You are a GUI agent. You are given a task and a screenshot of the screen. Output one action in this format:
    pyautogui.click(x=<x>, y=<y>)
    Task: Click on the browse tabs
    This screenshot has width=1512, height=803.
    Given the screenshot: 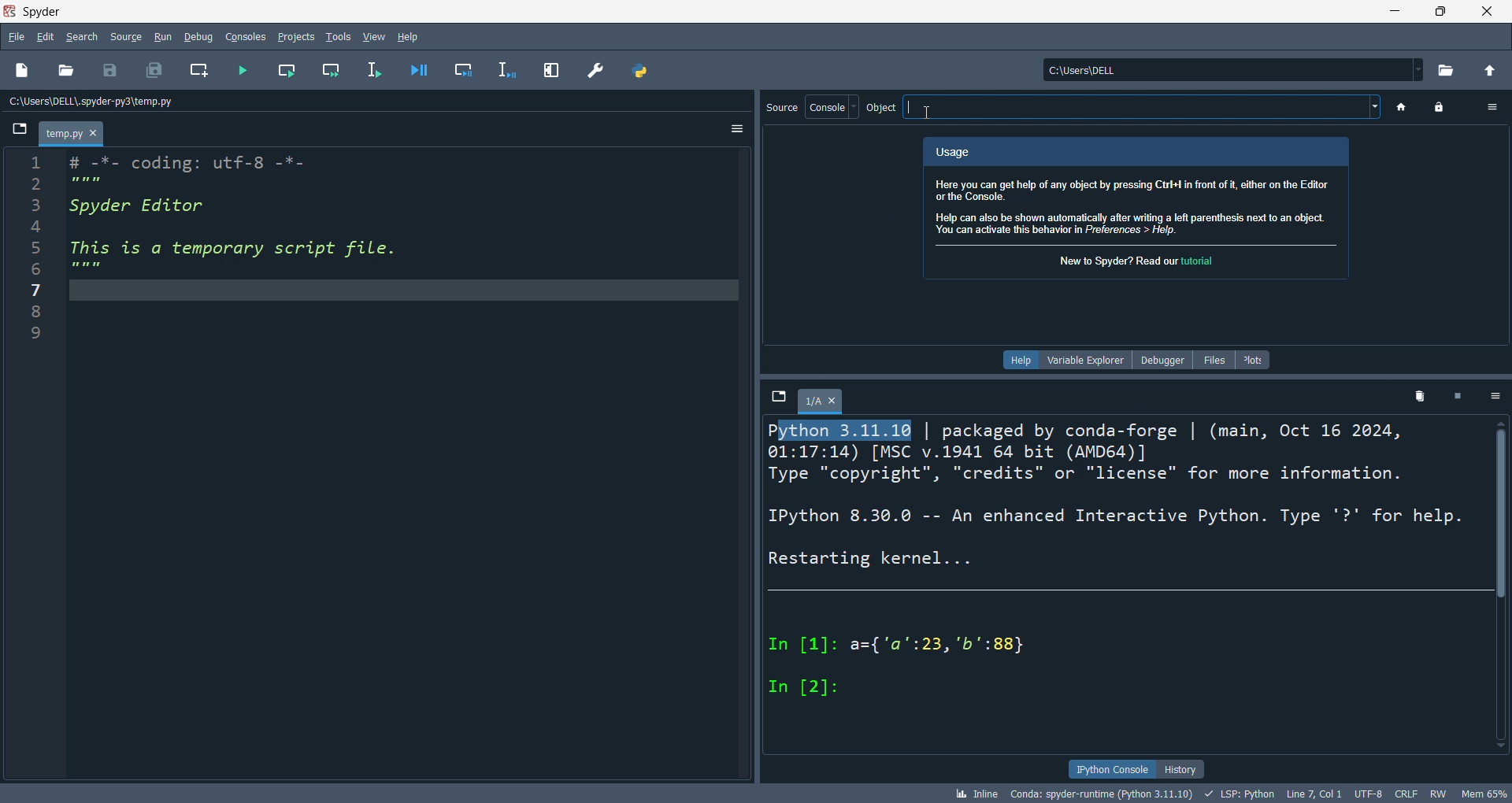 What is the action you would take?
    pyautogui.click(x=19, y=130)
    